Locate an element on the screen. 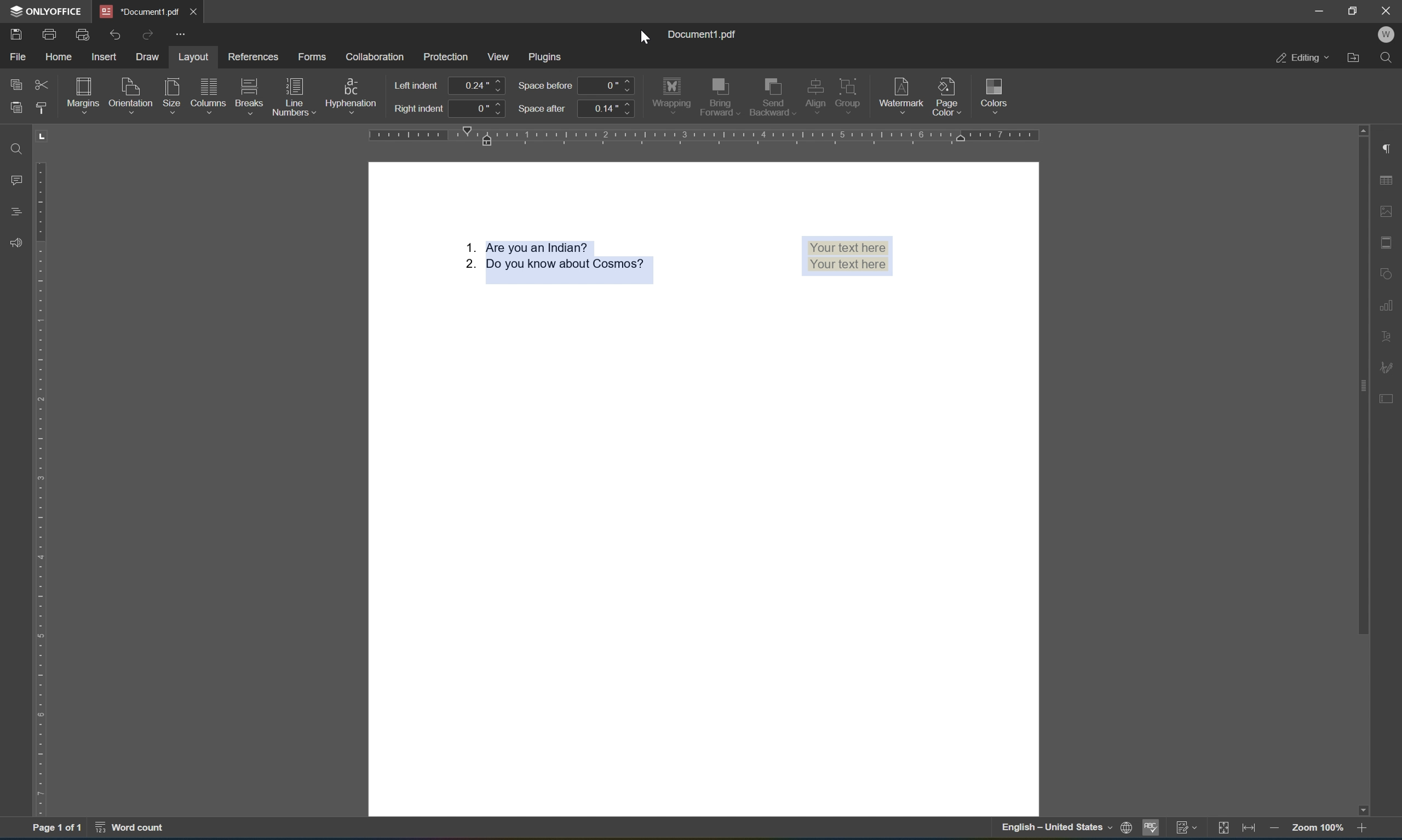  0.14 is located at coordinates (606, 109).